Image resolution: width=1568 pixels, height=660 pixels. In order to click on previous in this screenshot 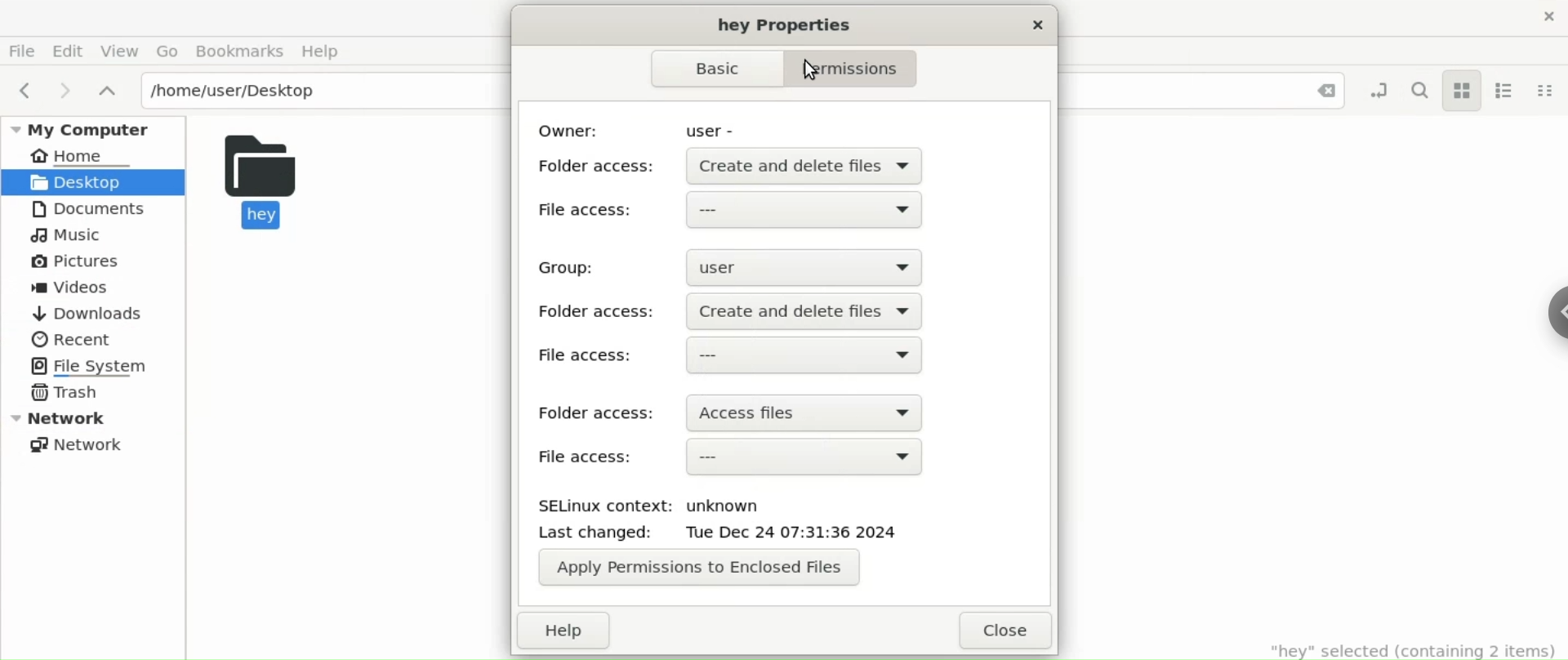, I will do `click(24, 90)`.